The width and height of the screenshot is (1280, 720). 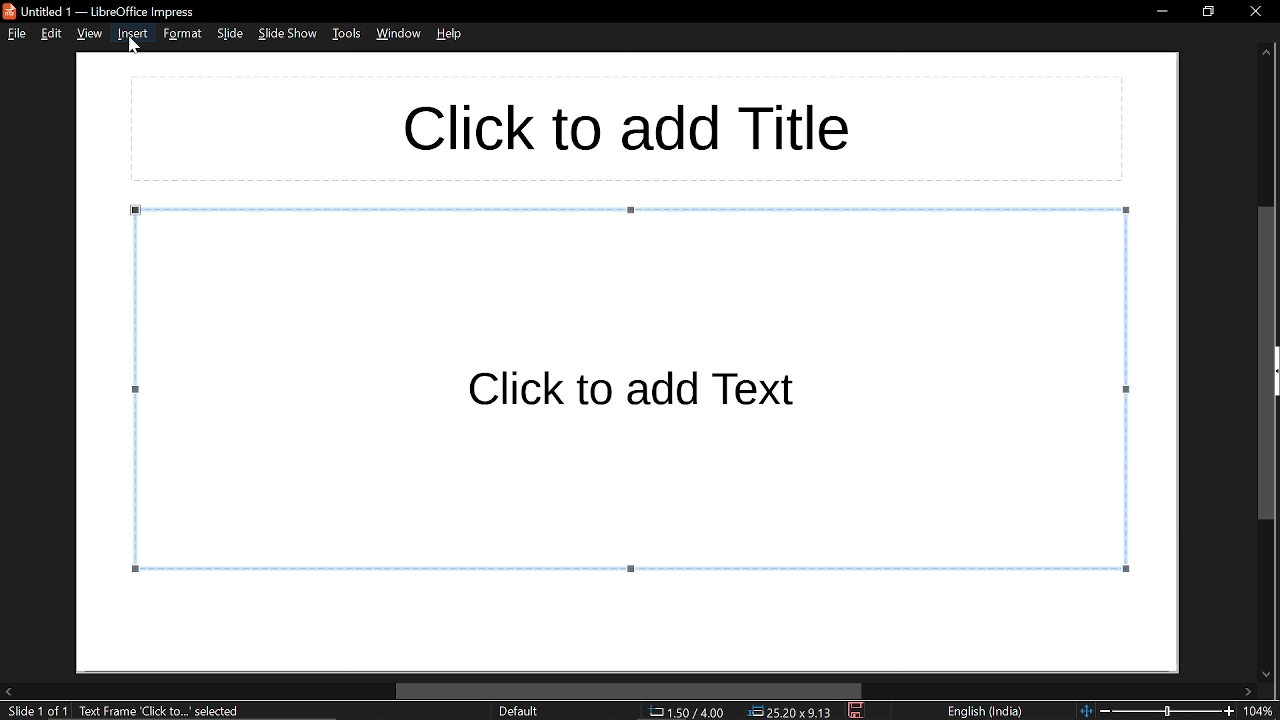 I want to click on view, so click(x=92, y=33).